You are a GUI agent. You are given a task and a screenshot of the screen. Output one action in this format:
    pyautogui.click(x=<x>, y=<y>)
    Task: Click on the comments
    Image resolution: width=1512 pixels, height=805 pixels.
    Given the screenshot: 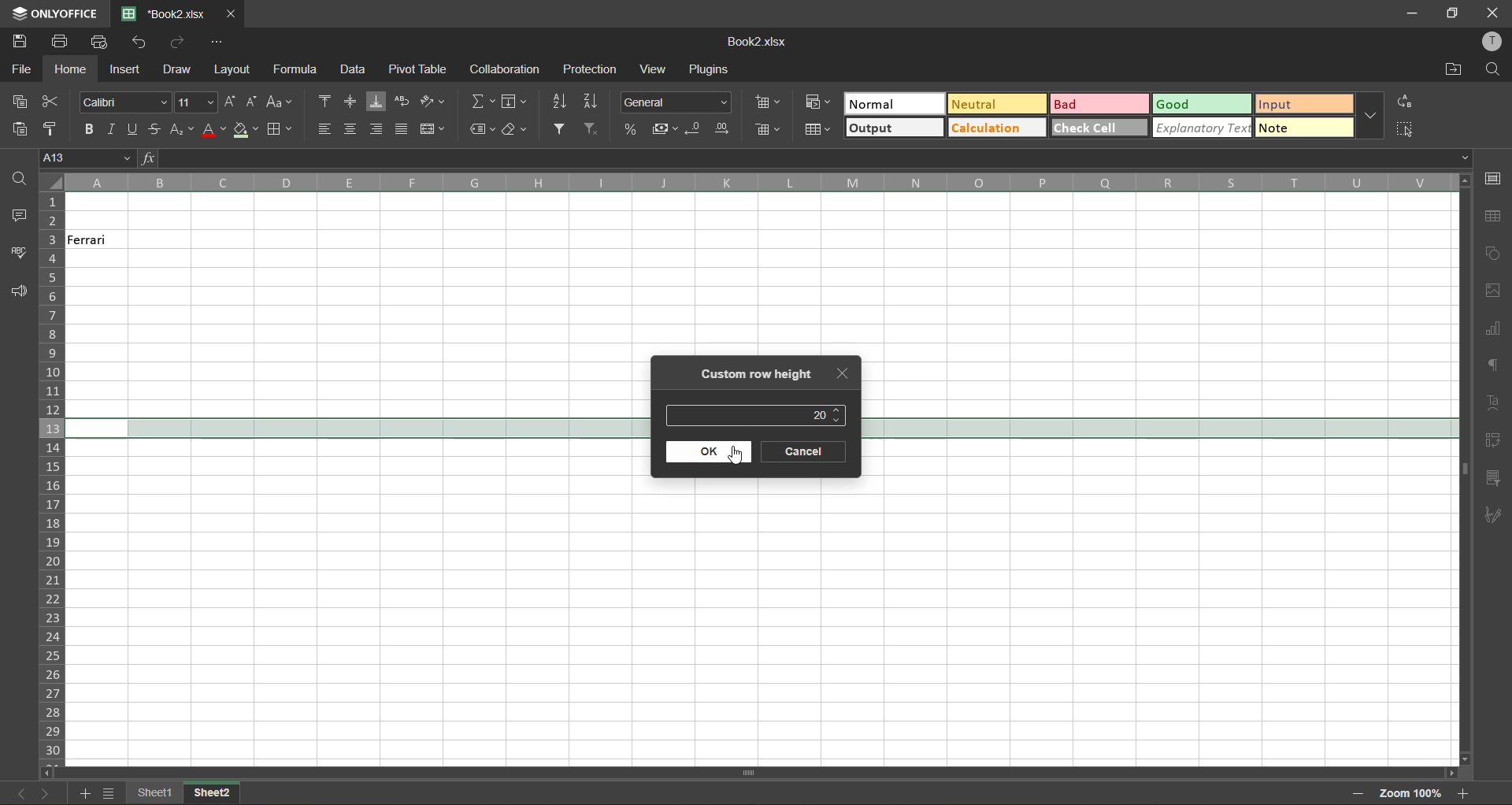 What is the action you would take?
    pyautogui.click(x=16, y=217)
    